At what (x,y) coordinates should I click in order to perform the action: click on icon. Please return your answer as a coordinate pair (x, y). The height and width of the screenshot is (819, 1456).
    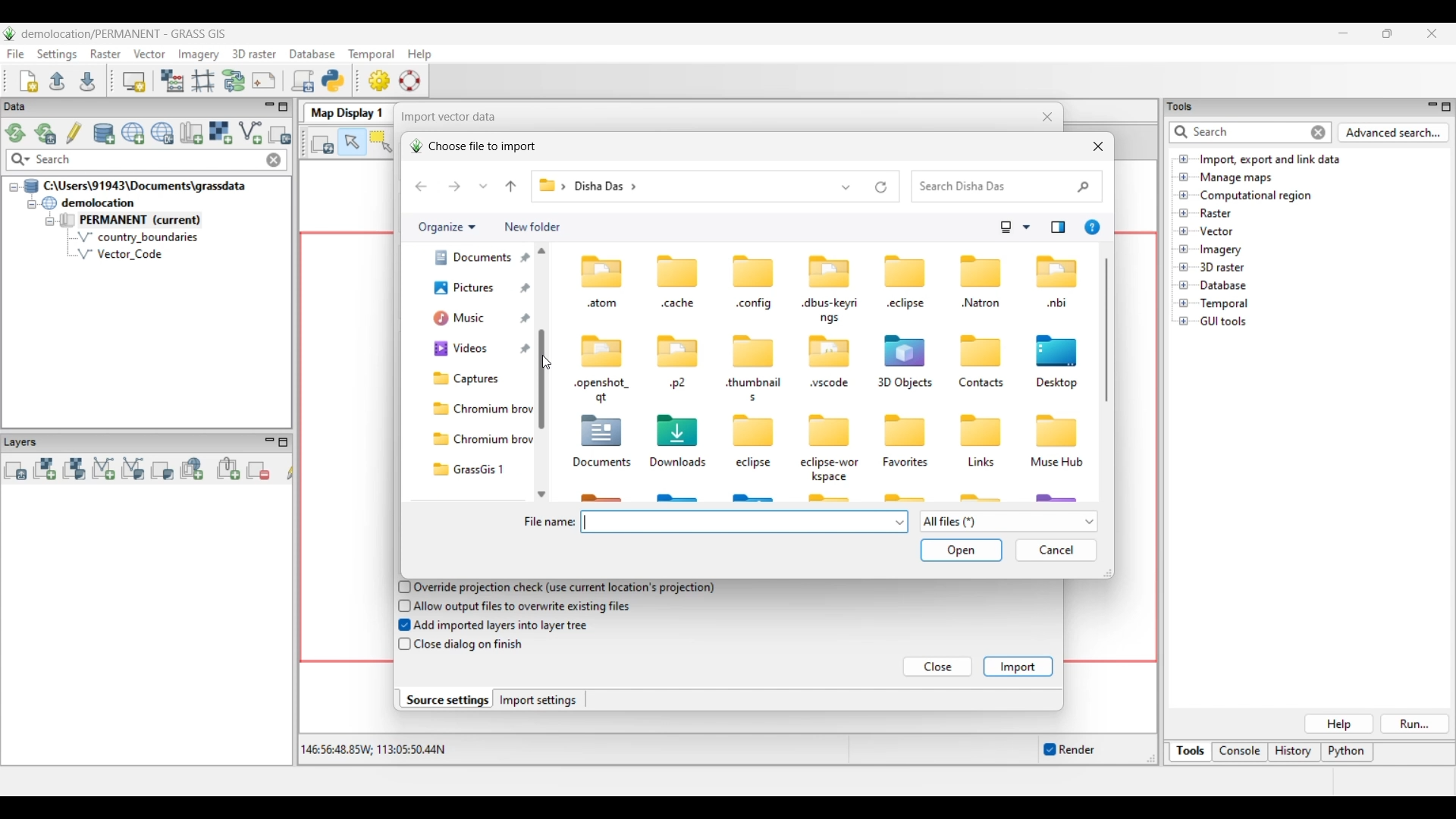
    Looking at the image, I should click on (678, 350).